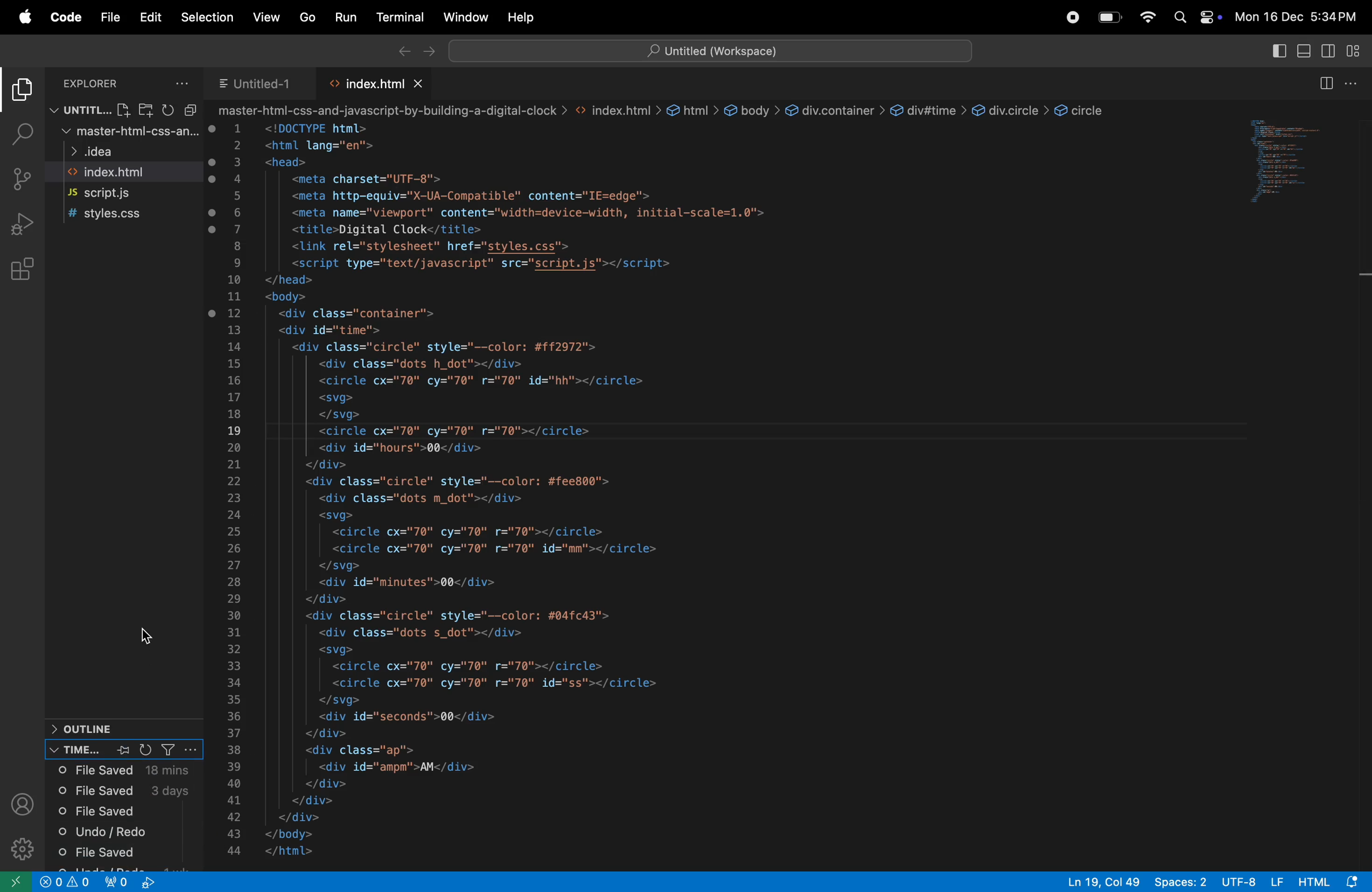 The height and width of the screenshot is (892, 1372). Describe the element at coordinates (118, 831) in the screenshot. I see `undo redo` at that location.